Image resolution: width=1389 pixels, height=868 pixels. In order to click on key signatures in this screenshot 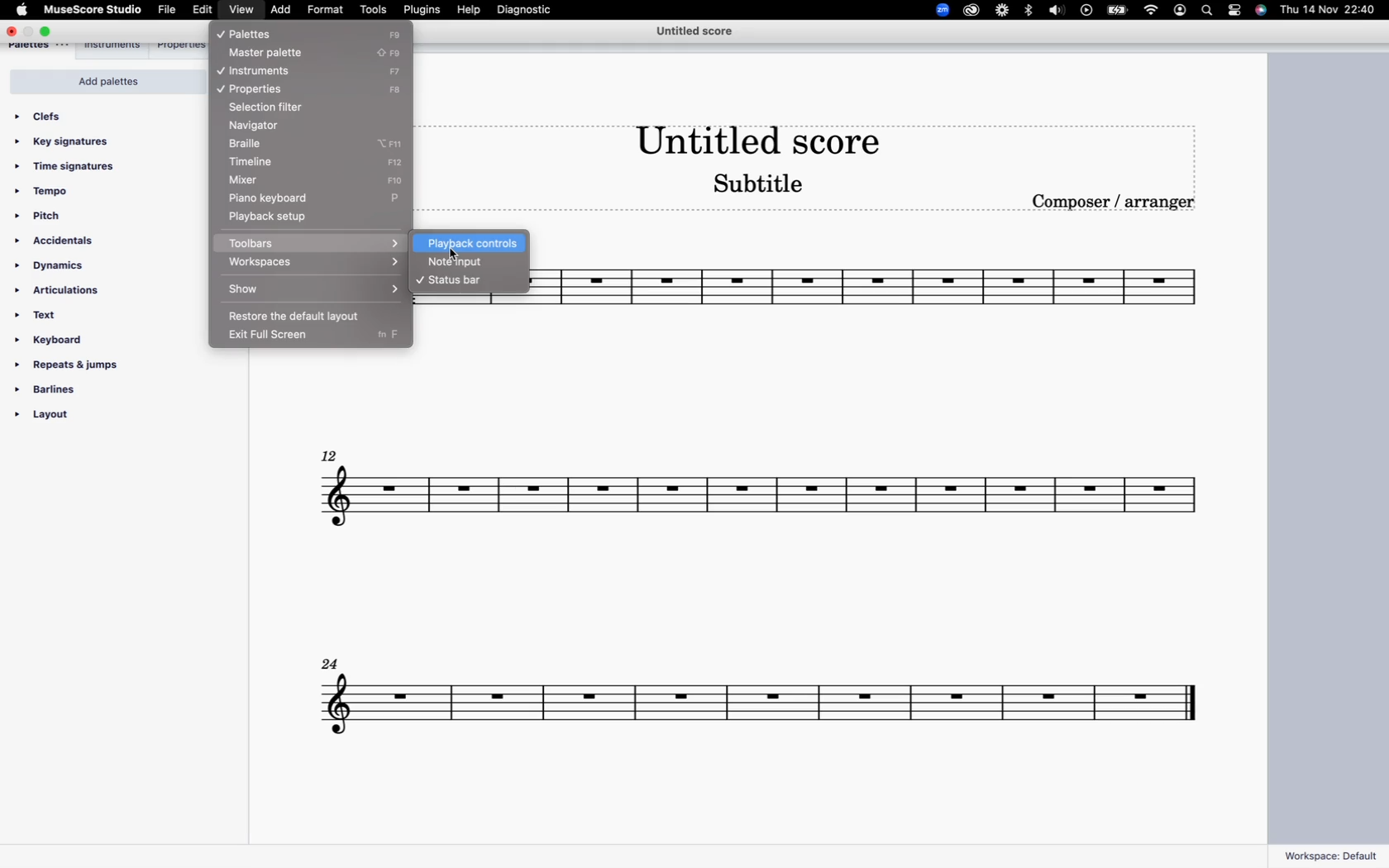, I will do `click(70, 142)`.